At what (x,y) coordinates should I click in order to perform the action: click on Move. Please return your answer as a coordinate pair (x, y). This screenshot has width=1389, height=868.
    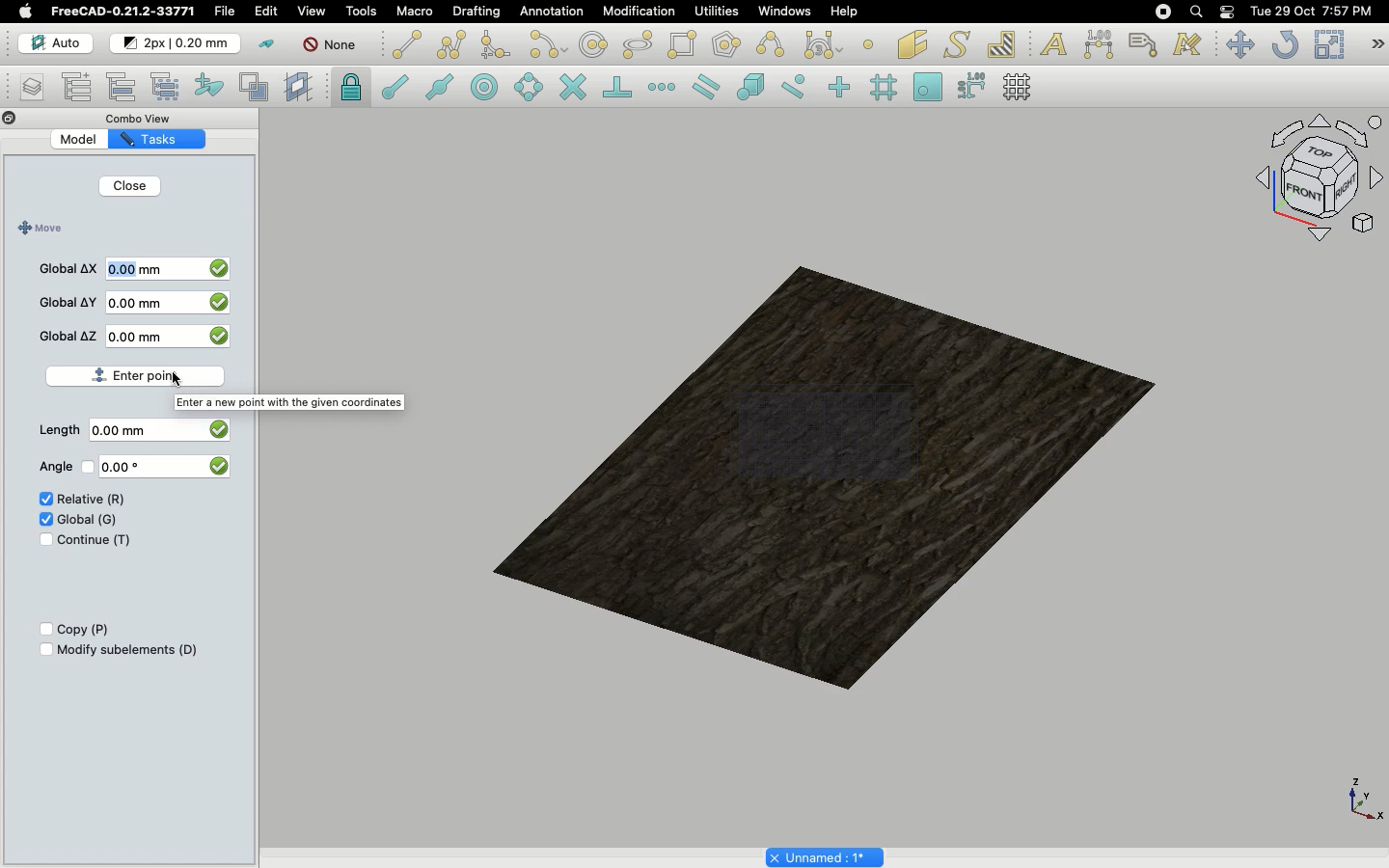
    Looking at the image, I should click on (1239, 44).